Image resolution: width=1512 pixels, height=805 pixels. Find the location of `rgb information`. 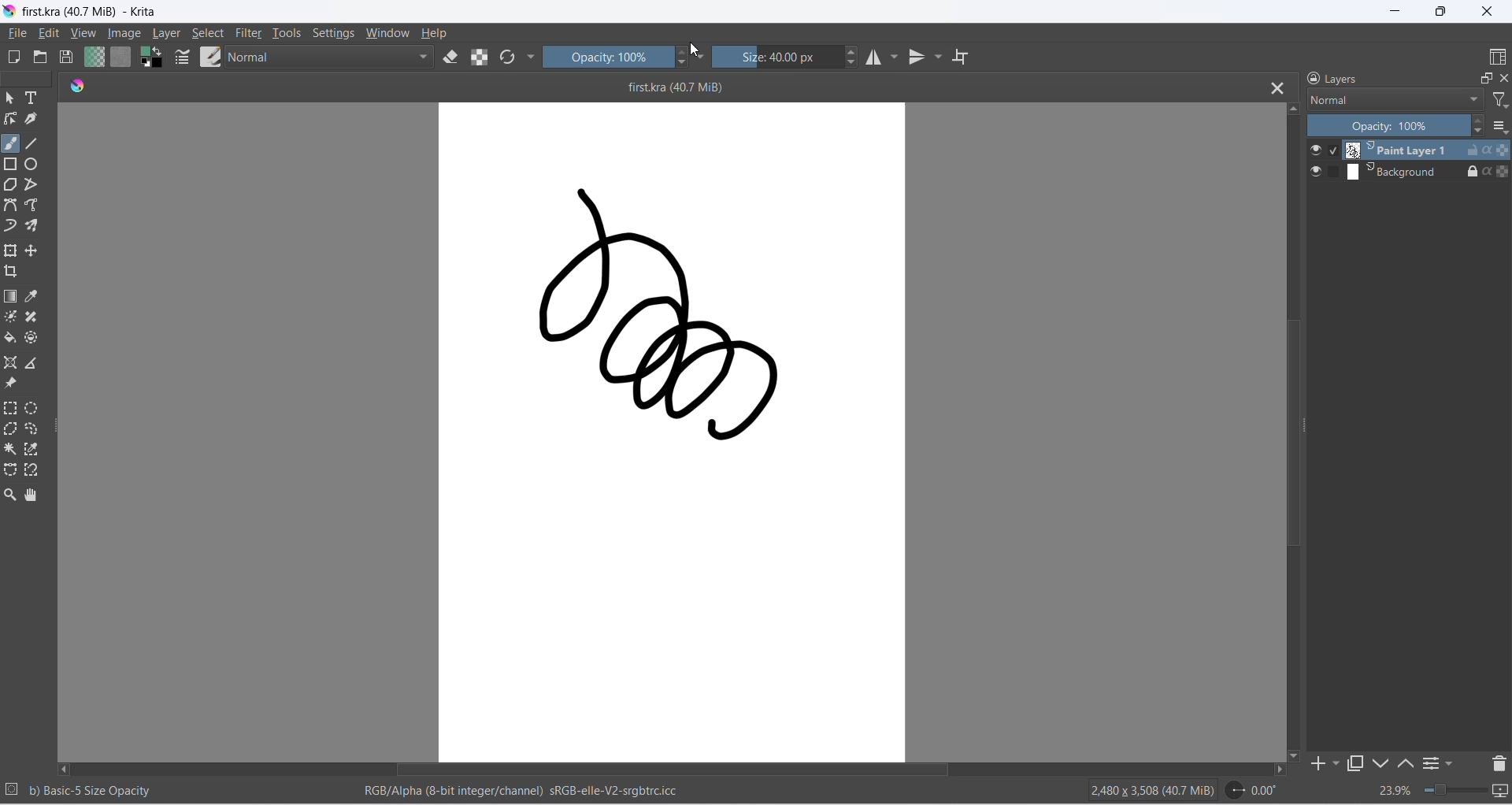

rgb information is located at coordinates (513, 791).